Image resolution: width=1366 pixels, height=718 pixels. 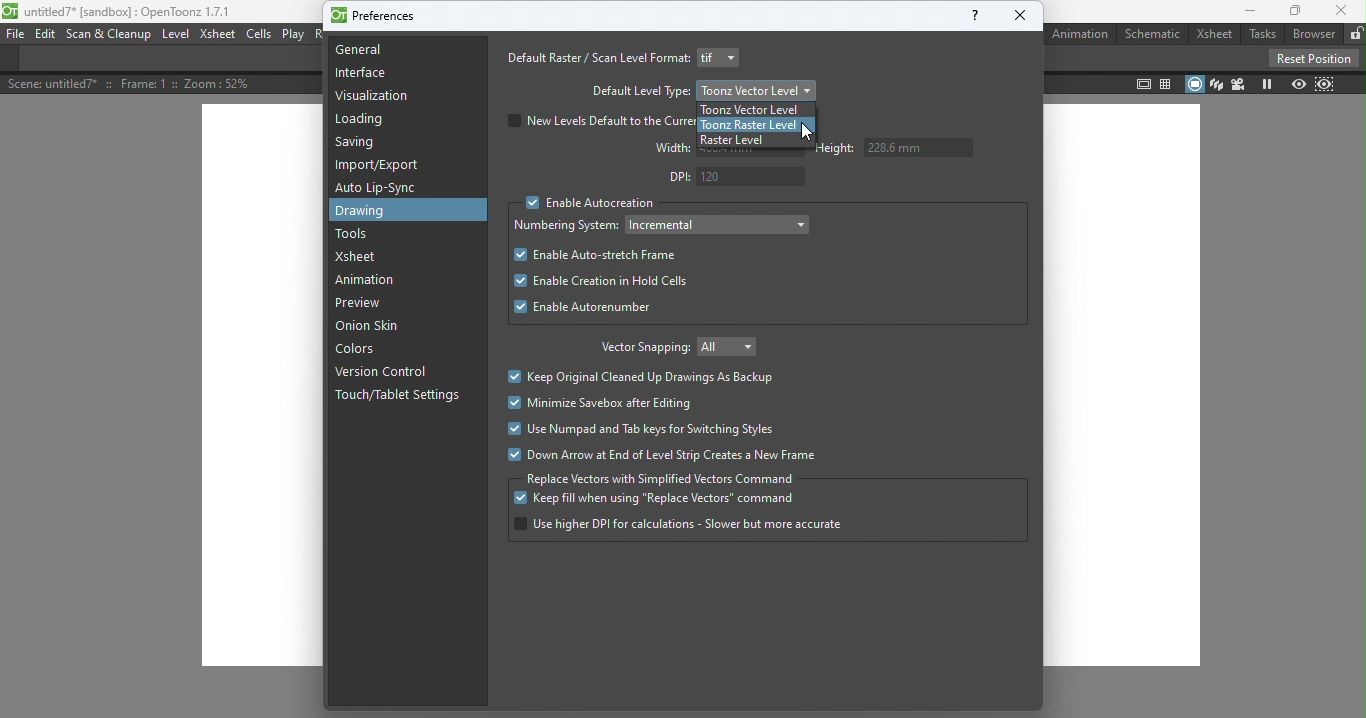 I want to click on Camera view, so click(x=1236, y=84).